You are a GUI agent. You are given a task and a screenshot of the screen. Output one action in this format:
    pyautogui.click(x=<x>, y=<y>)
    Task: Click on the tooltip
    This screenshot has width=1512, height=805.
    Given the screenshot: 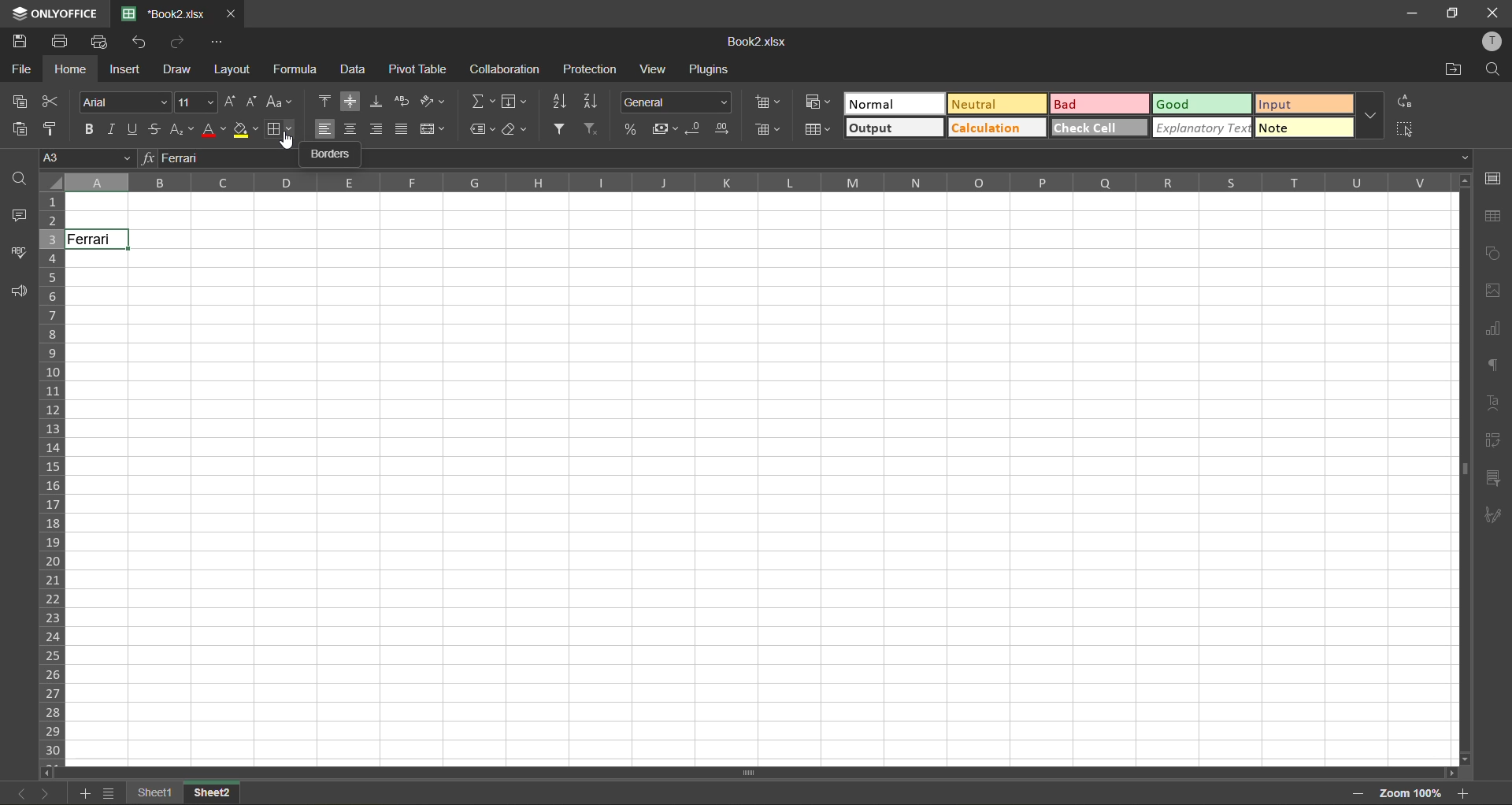 What is the action you would take?
    pyautogui.click(x=332, y=154)
    